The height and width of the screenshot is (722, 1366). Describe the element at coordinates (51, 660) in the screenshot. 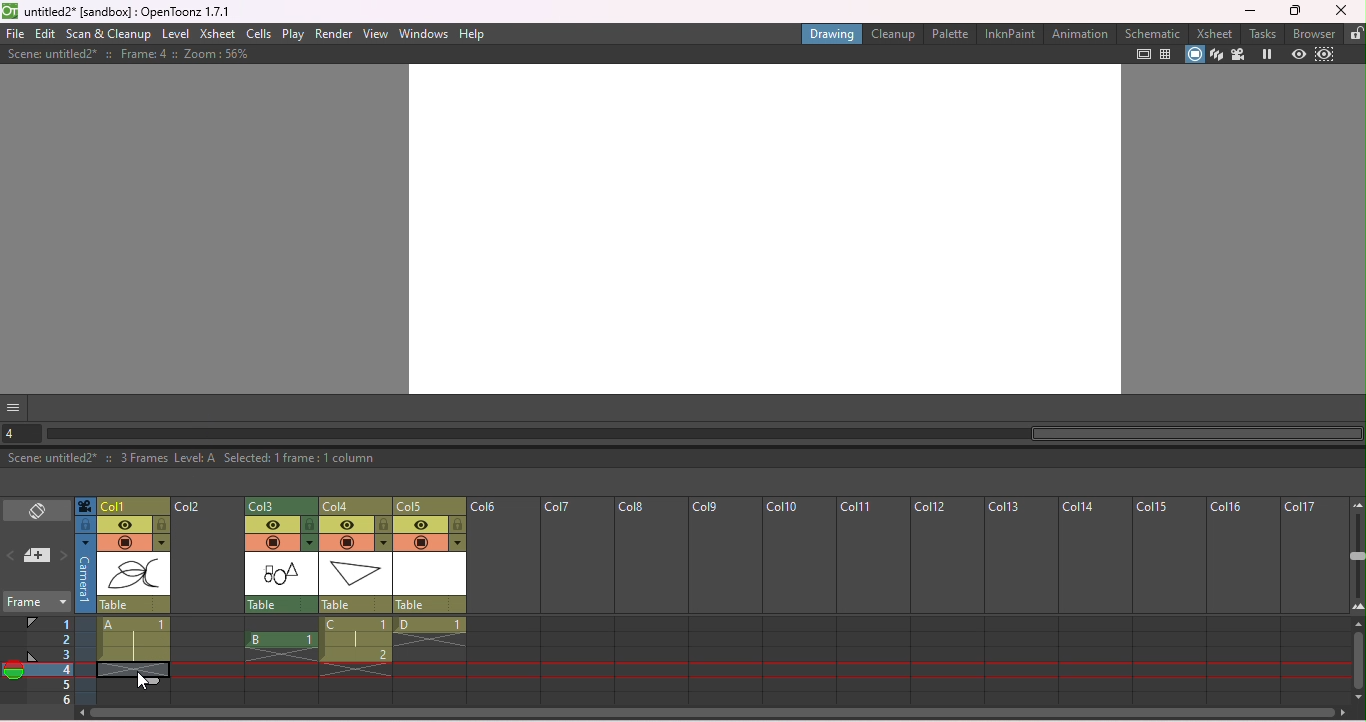

I see `Frames` at that location.